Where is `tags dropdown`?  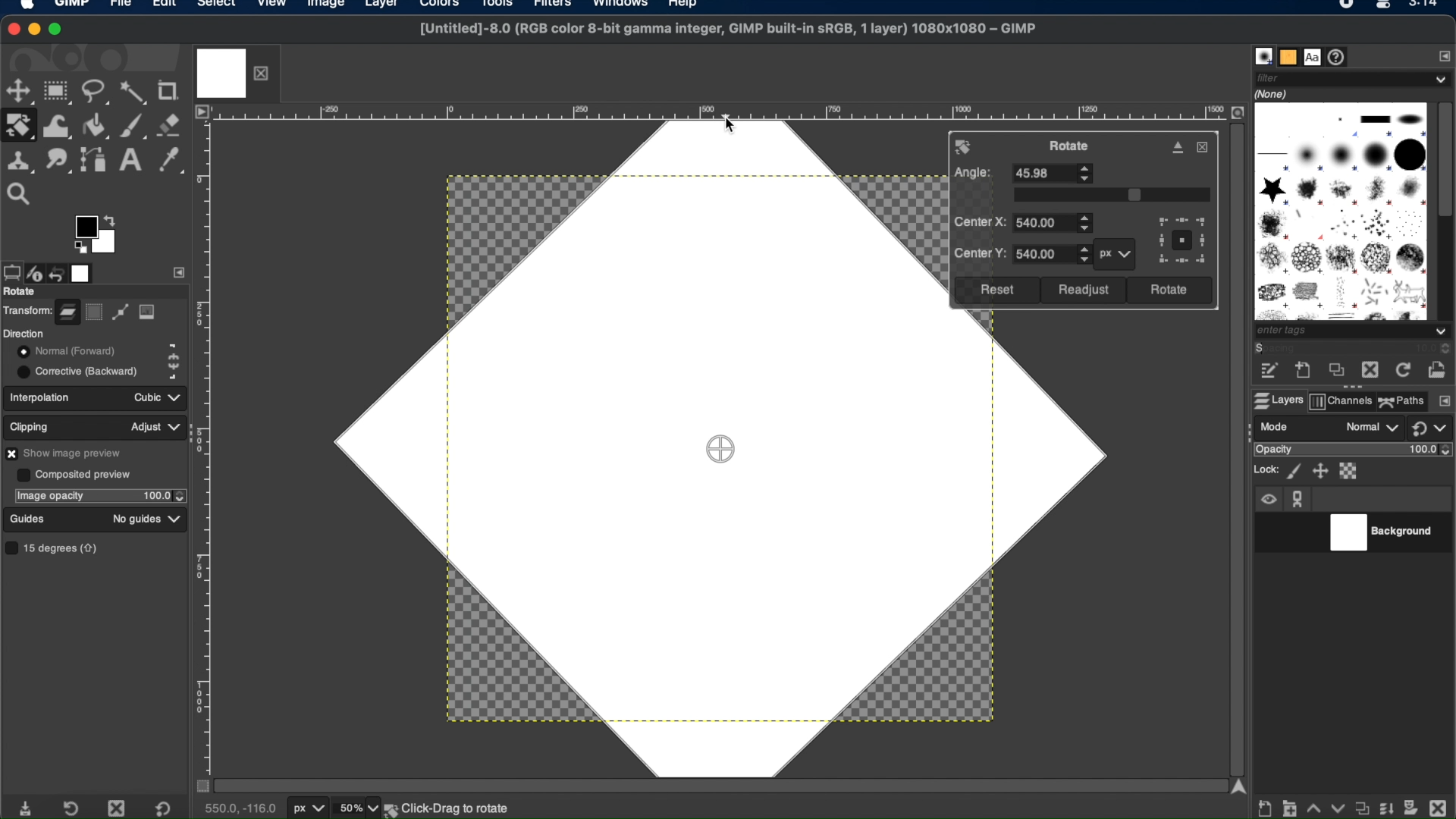
tags dropdown is located at coordinates (1354, 332).